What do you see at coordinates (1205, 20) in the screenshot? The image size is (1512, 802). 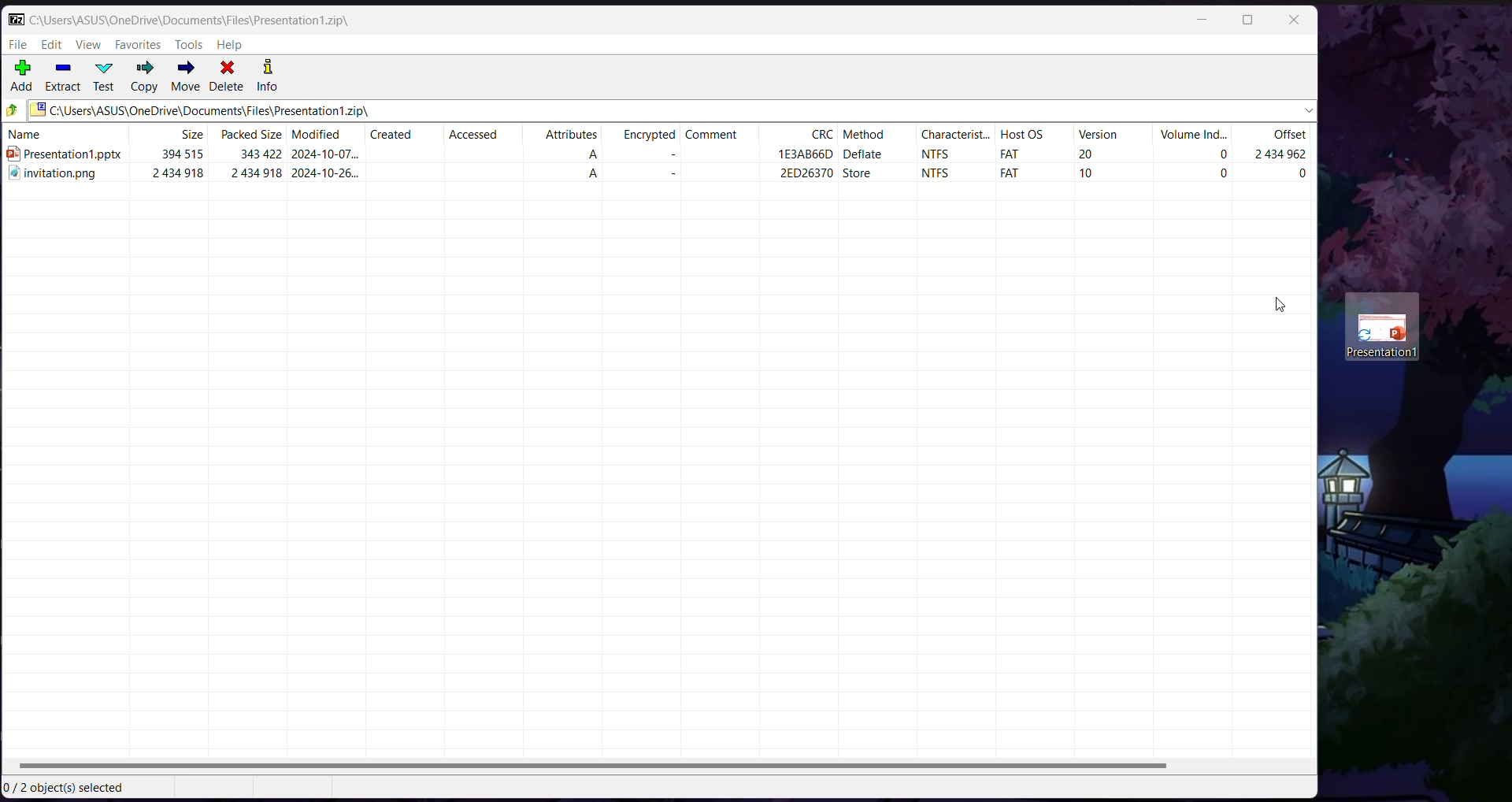 I see `Minimize` at bounding box center [1205, 20].